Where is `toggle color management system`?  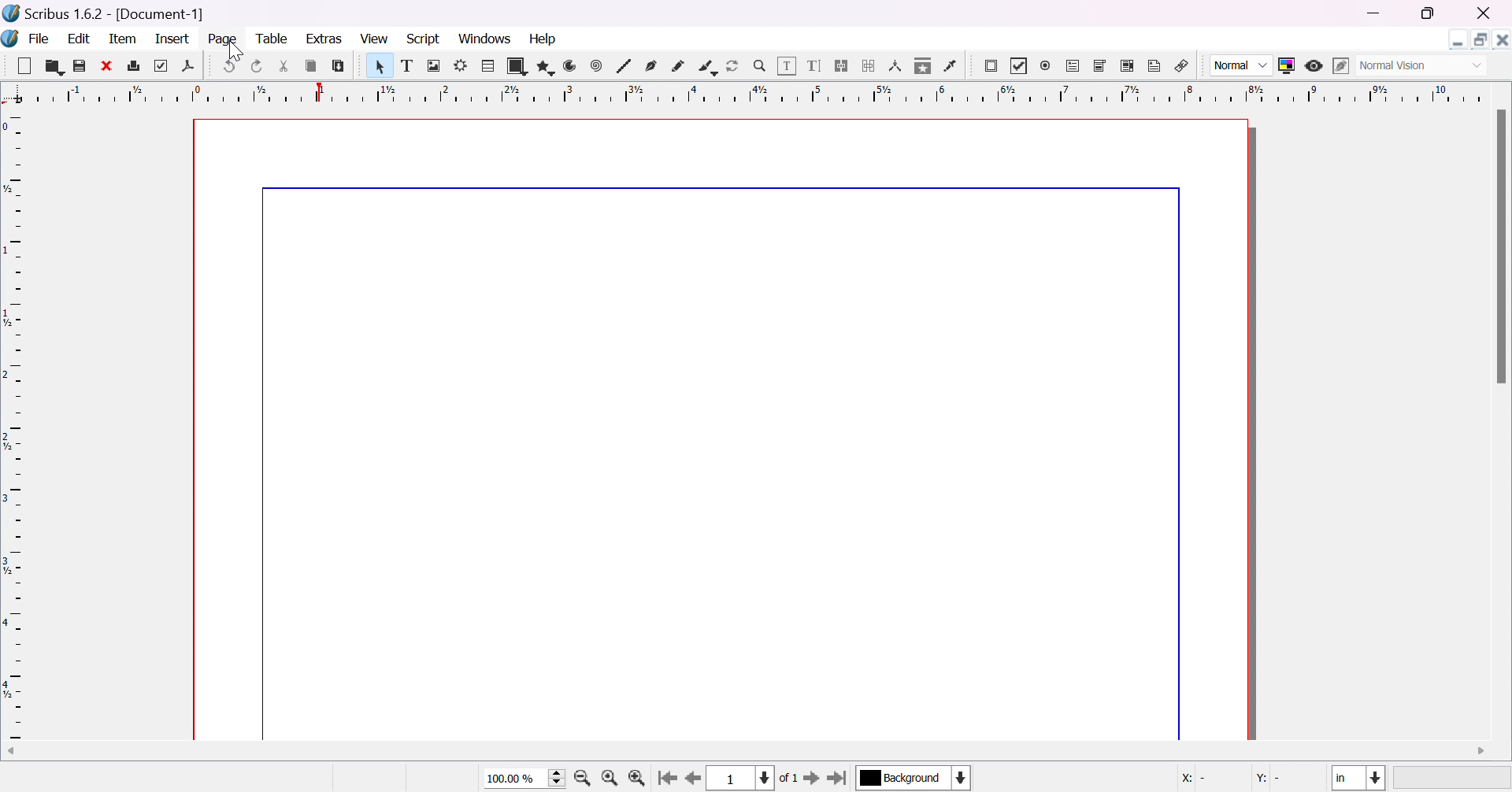 toggle color management system is located at coordinates (1290, 65).